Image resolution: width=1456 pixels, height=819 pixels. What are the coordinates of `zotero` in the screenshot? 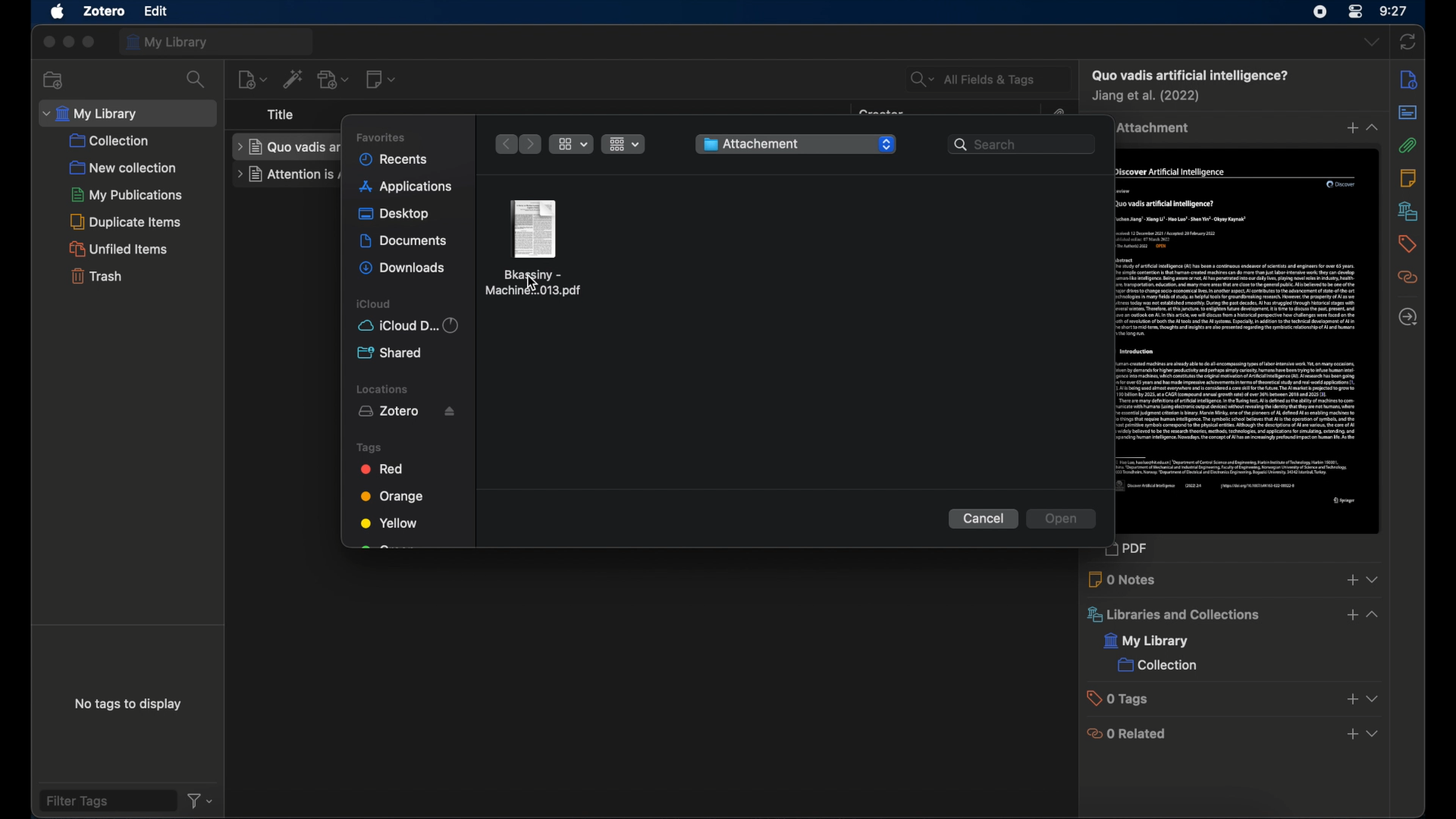 It's located at (105, 11).